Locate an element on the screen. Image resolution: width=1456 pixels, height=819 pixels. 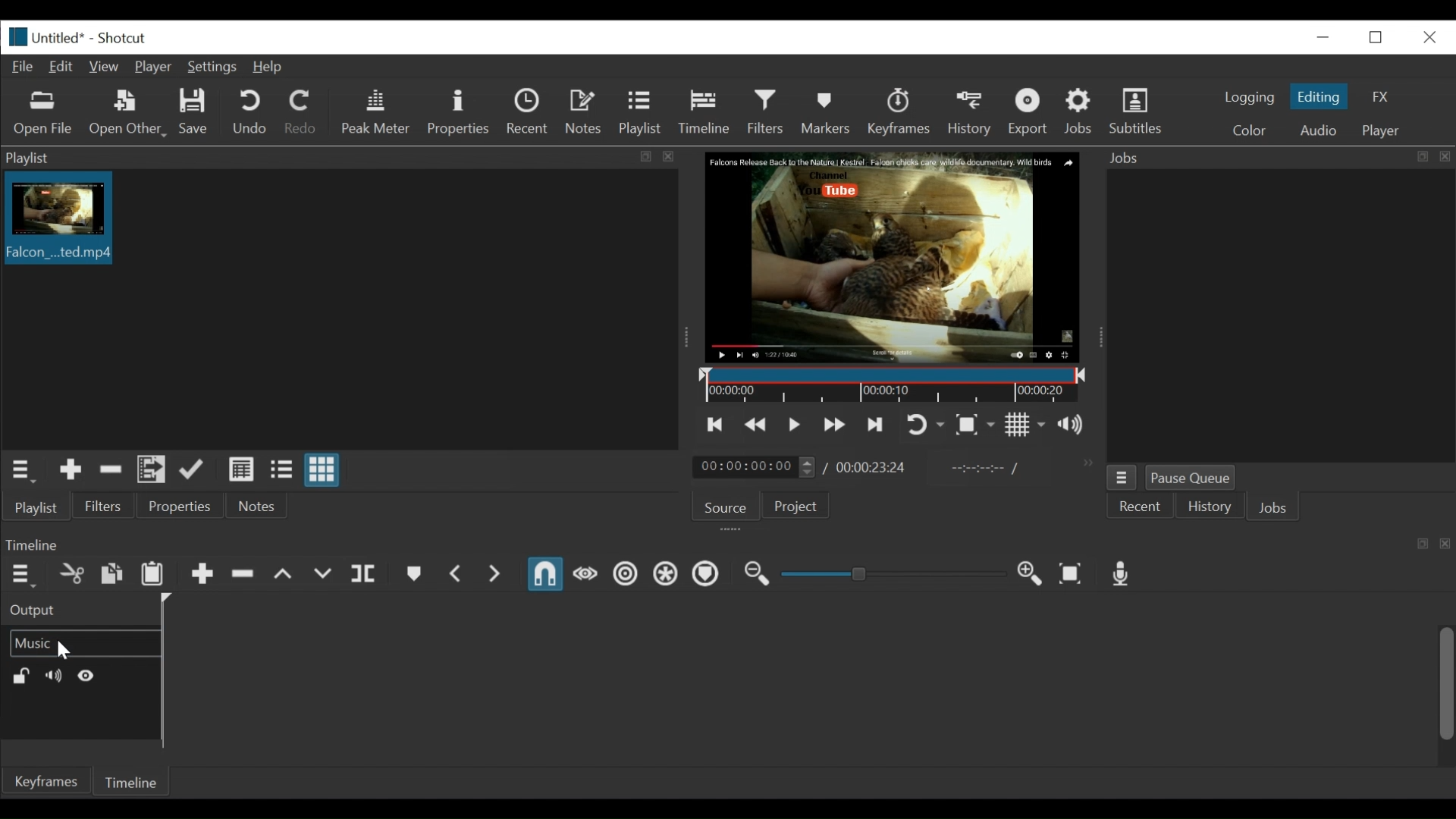
Playlist menu is located at coordinates (20, 469).